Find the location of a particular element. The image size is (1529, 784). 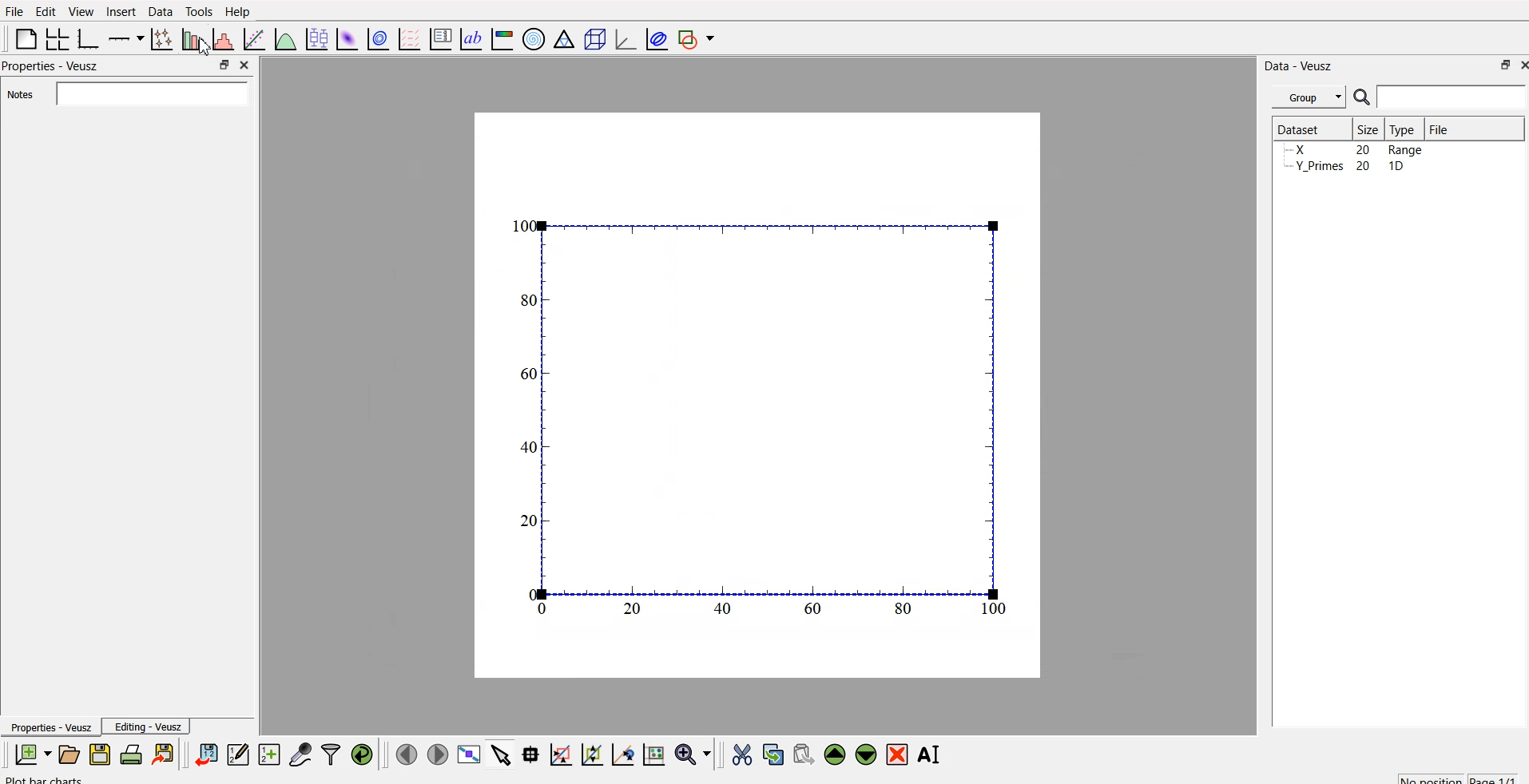

Data is located at coordinates (160, 10).